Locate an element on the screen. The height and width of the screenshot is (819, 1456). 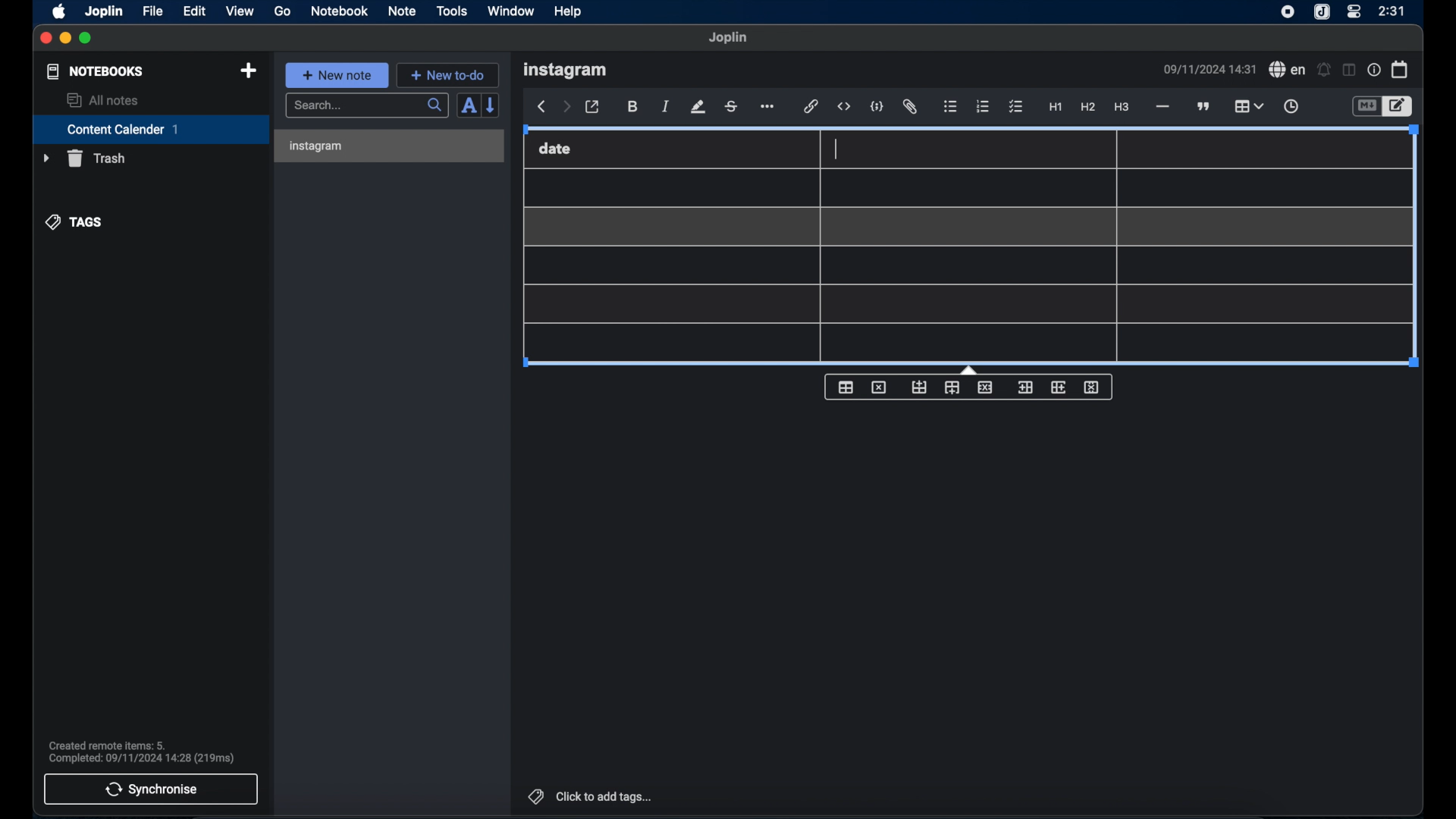
delete column is located at coordinates (1092, 388).